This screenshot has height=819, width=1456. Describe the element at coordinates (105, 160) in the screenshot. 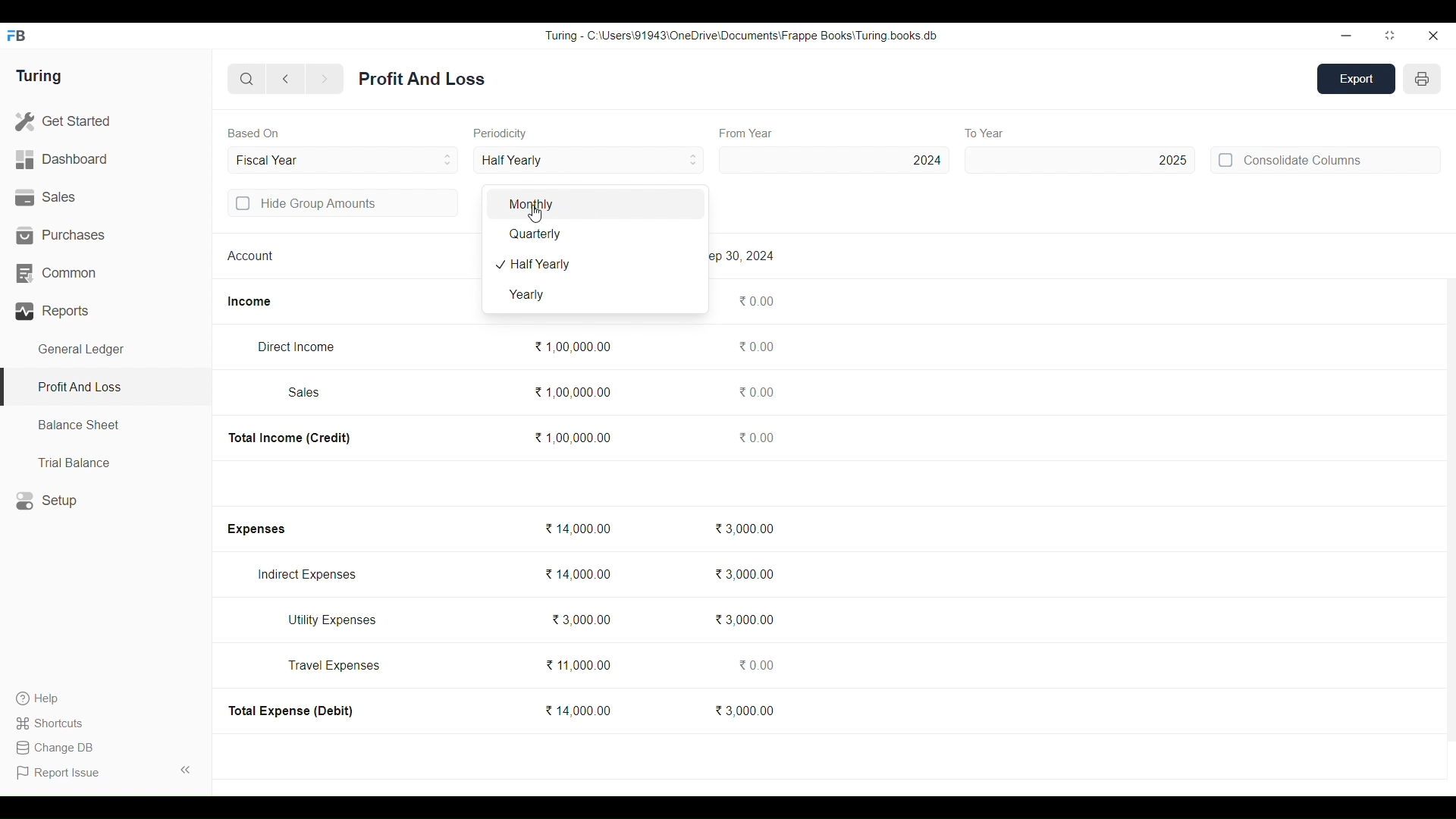

I see `Dashboard` at that location.